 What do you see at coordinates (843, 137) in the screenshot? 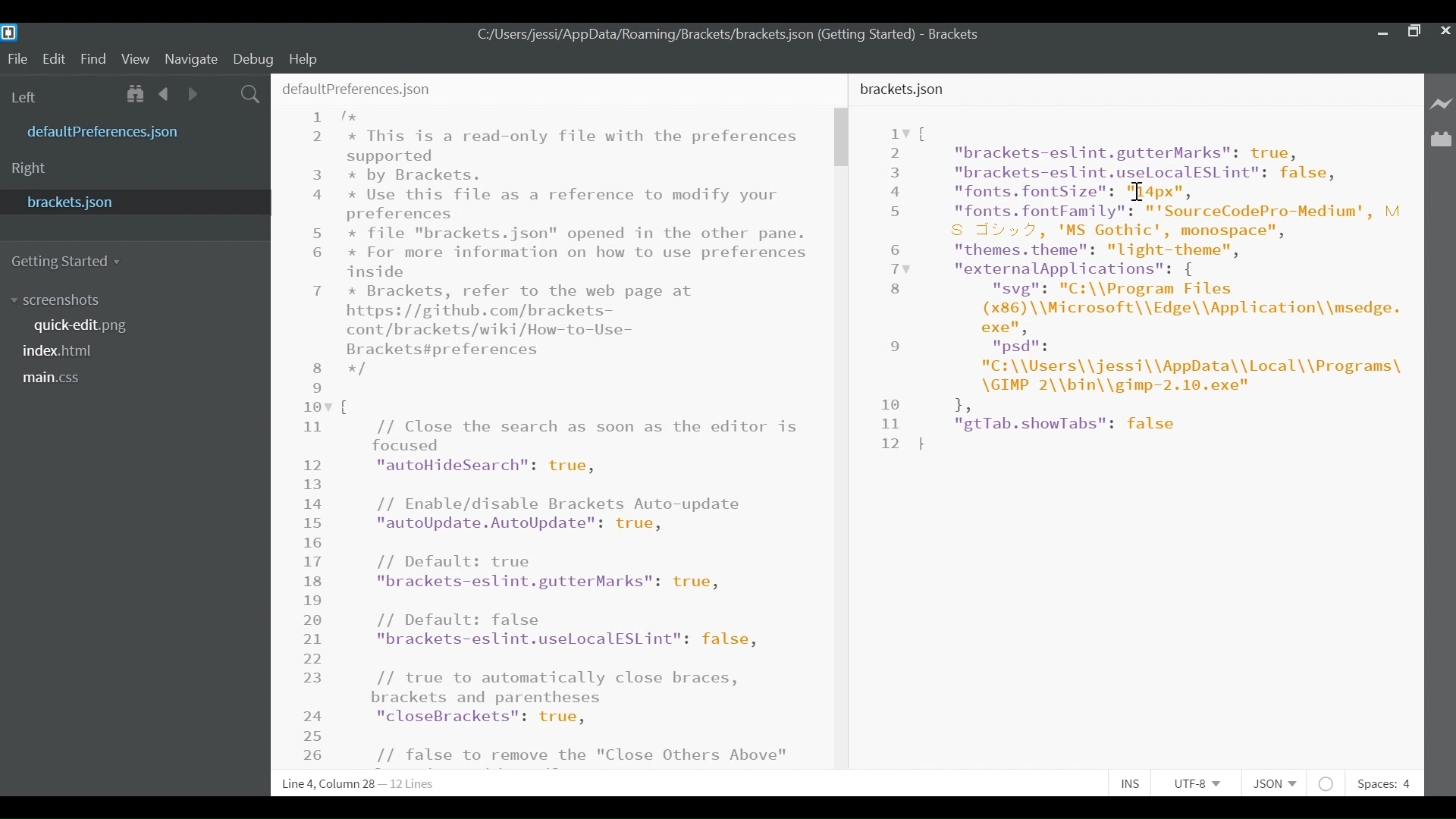
I see `Vertical Scroll bar` at bounding box center [843, 137].